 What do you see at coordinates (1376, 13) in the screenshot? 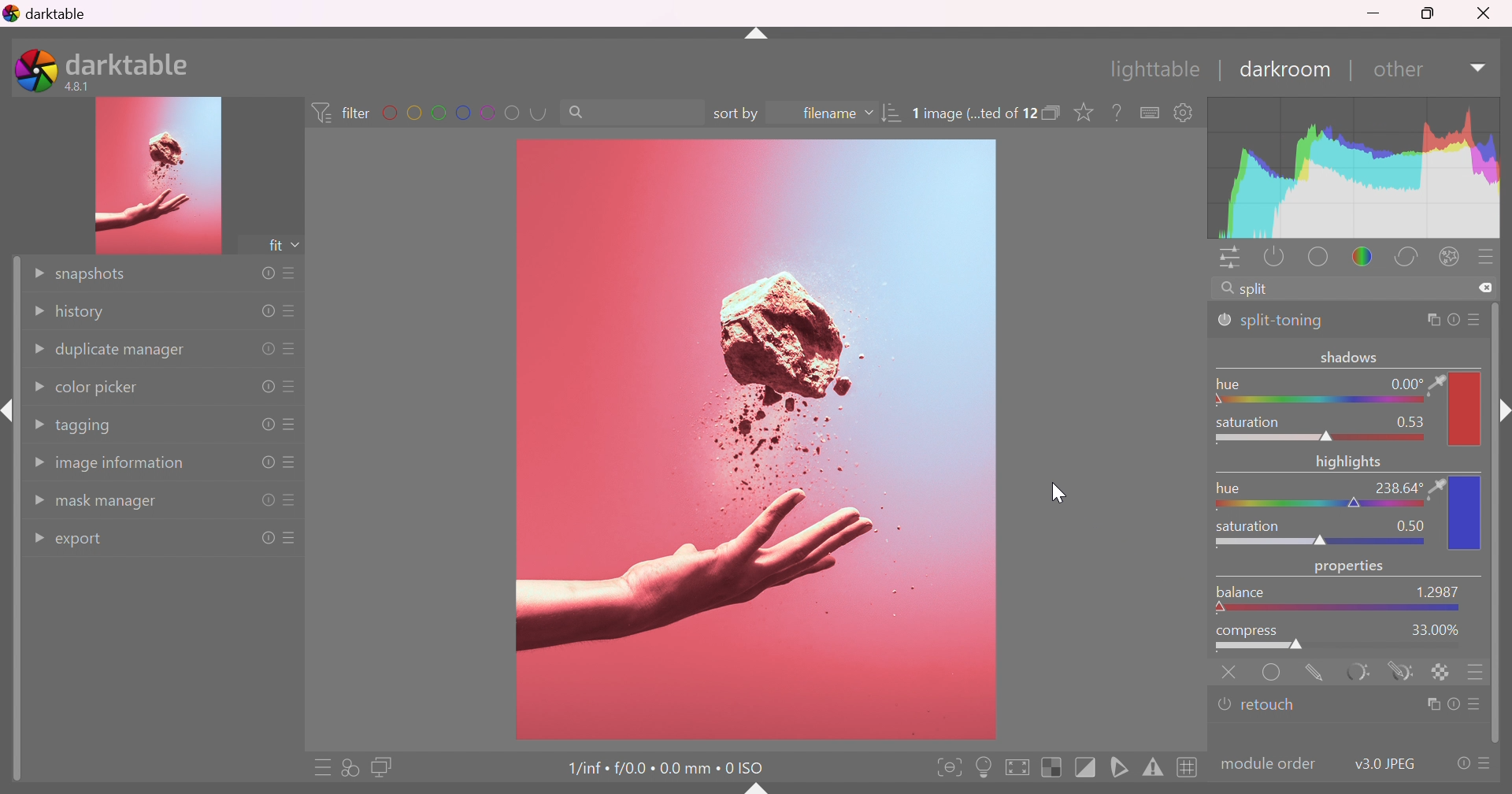
I see `Minimize` at bounding box center [1376, 13].